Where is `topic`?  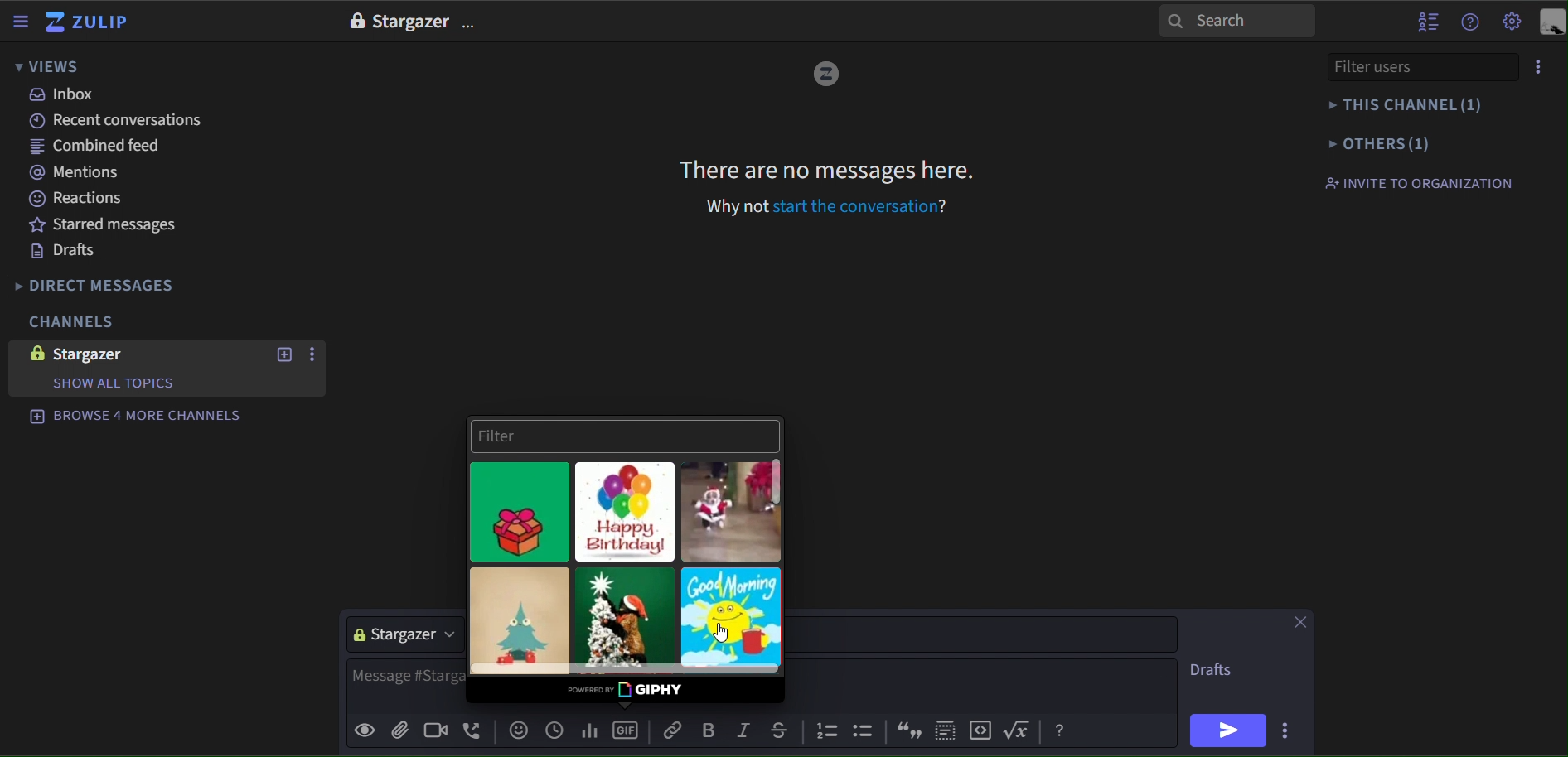
topic is located at coordinates (985, 634).